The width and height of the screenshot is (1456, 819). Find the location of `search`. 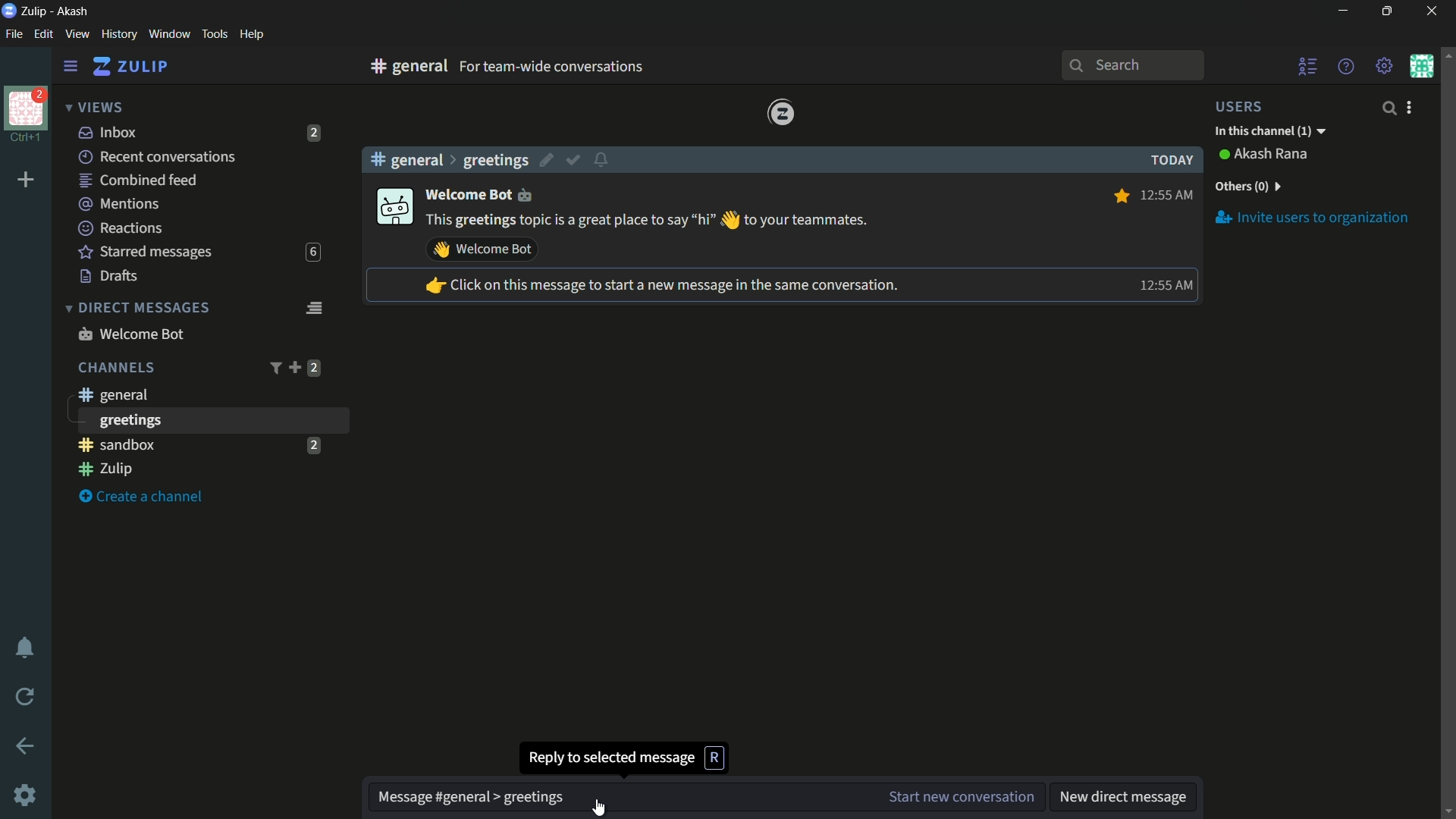

search is located at coordinates (1388, 108).